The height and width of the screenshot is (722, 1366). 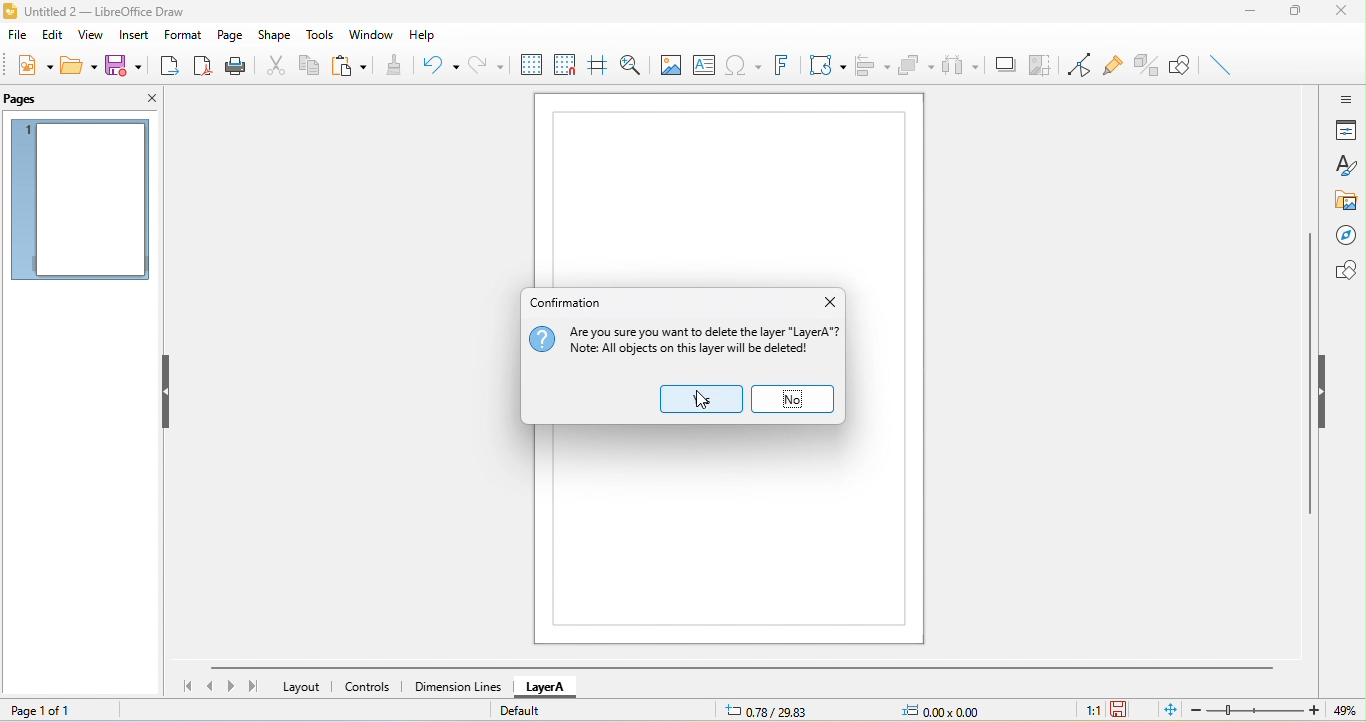 I want to click on paste, so click(x=349, y=67).